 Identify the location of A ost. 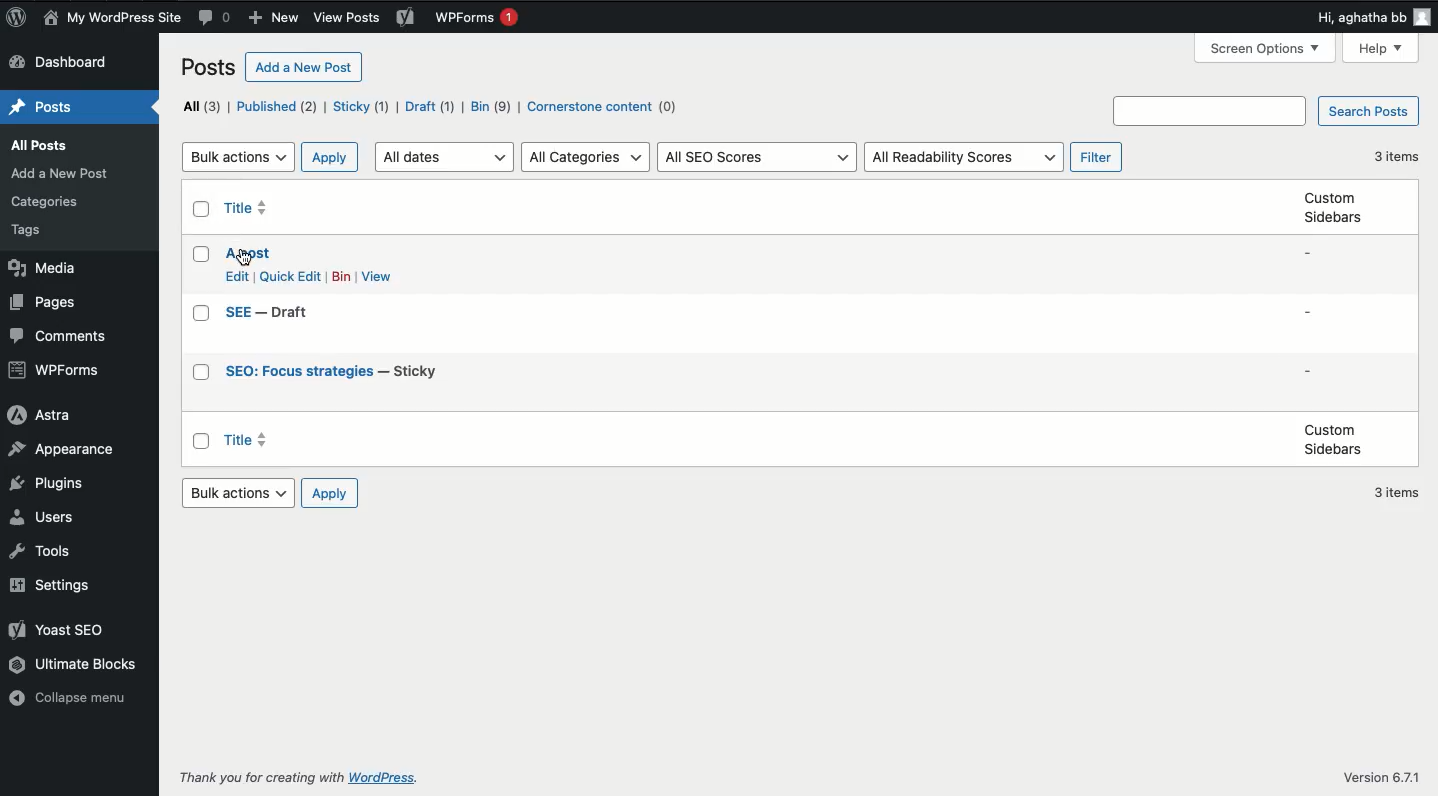
(249, 253).